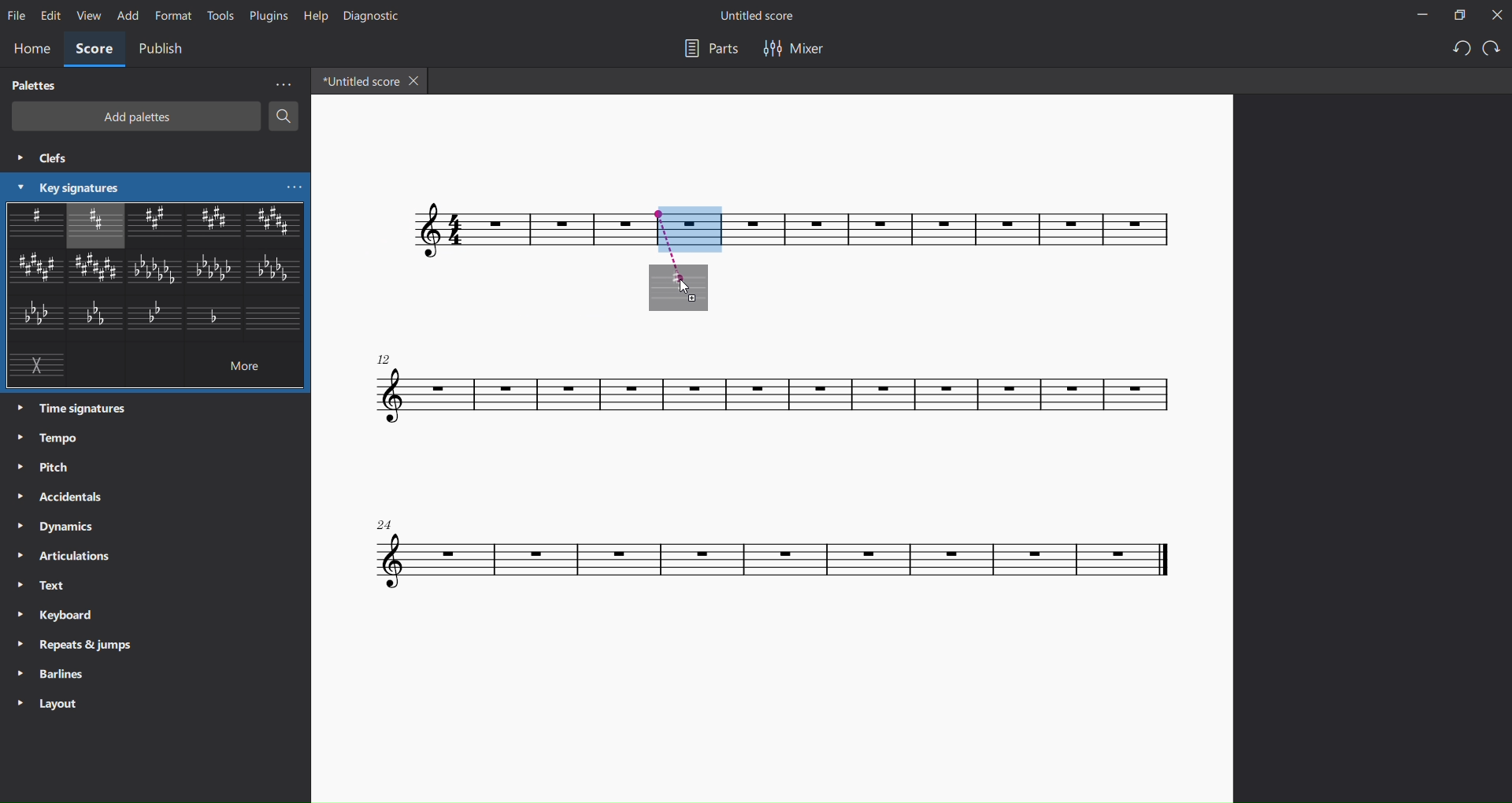 The width and height of the screenshot is (1512, 803). Describe the element at coordinates (1421, 13) in the screenshot. I see `minimize` at that location.